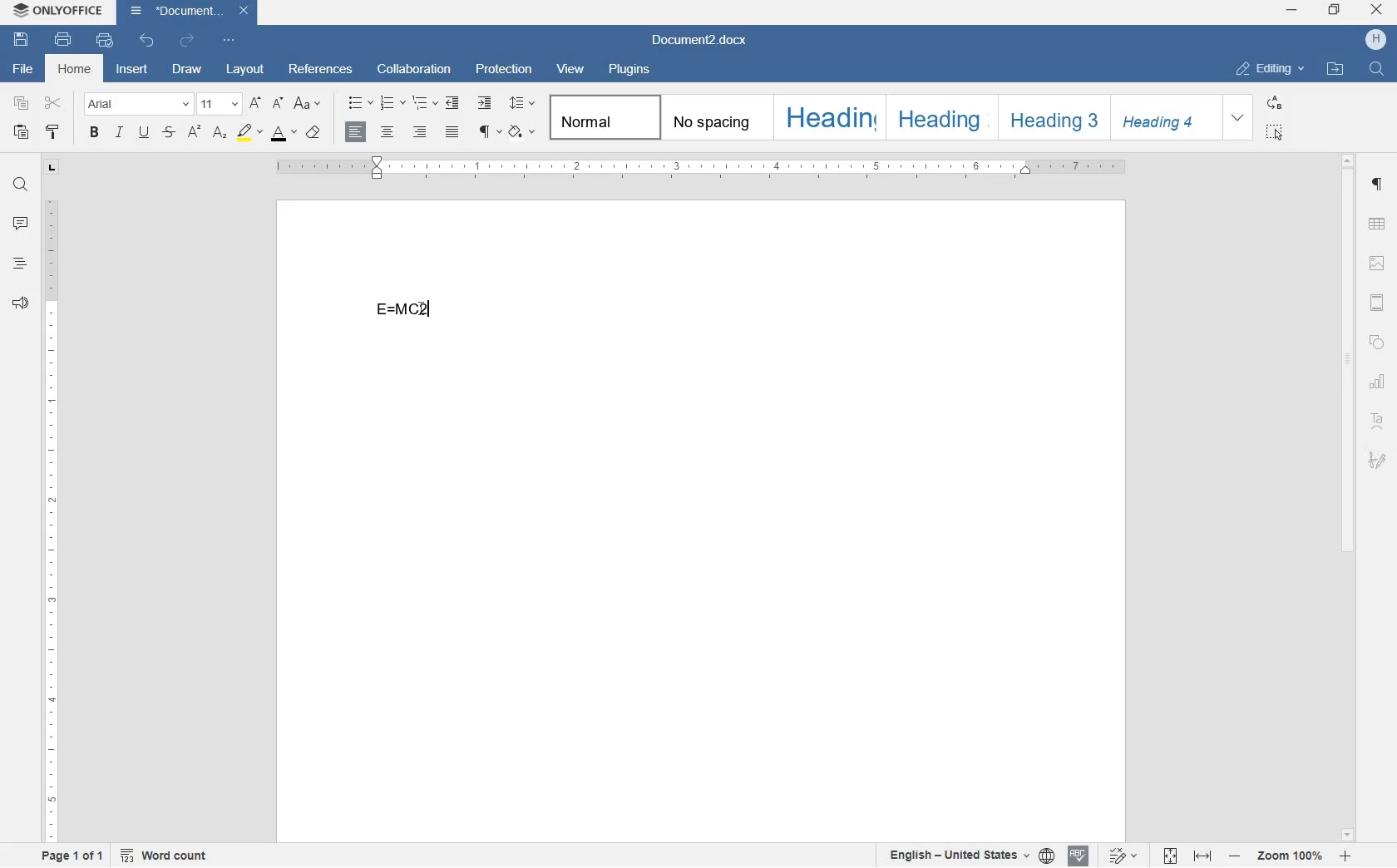 Image resolution: width=1397 pixels, height=868 pixels. What do you see at coordinates (53, 133) in the screenshot?
I see `copy style` at bounding box center [53, 133].